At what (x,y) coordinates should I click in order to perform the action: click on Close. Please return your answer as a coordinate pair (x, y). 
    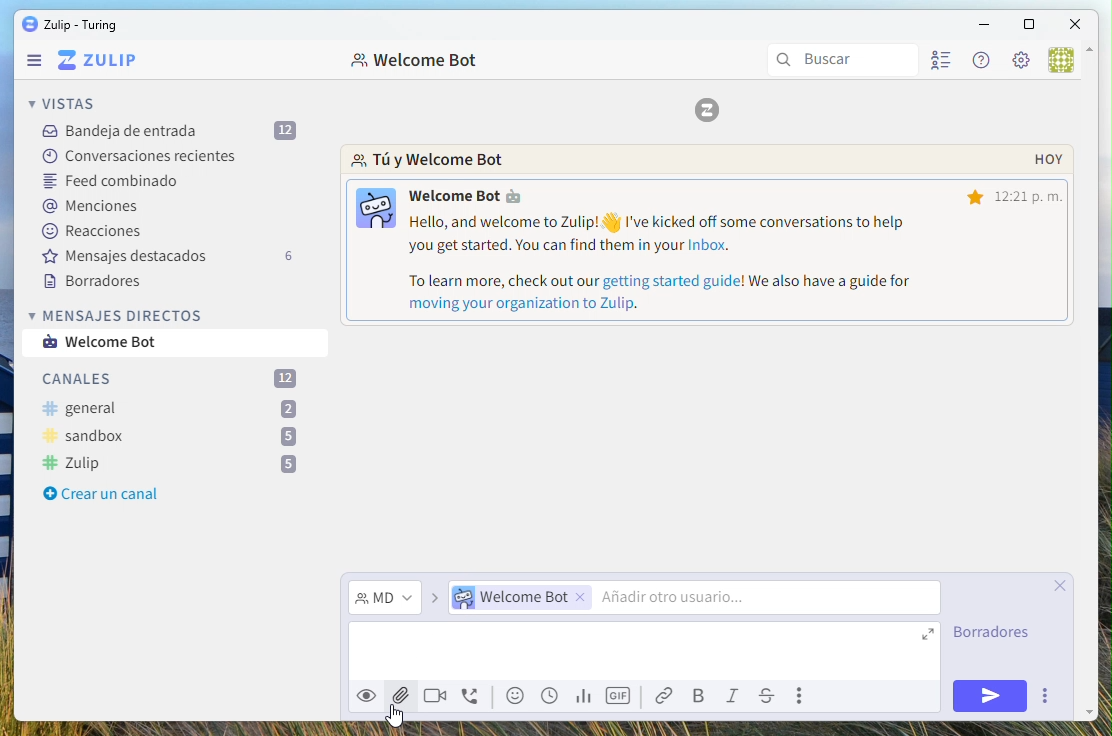
    Looking at the image, I should click on (1077, 23).